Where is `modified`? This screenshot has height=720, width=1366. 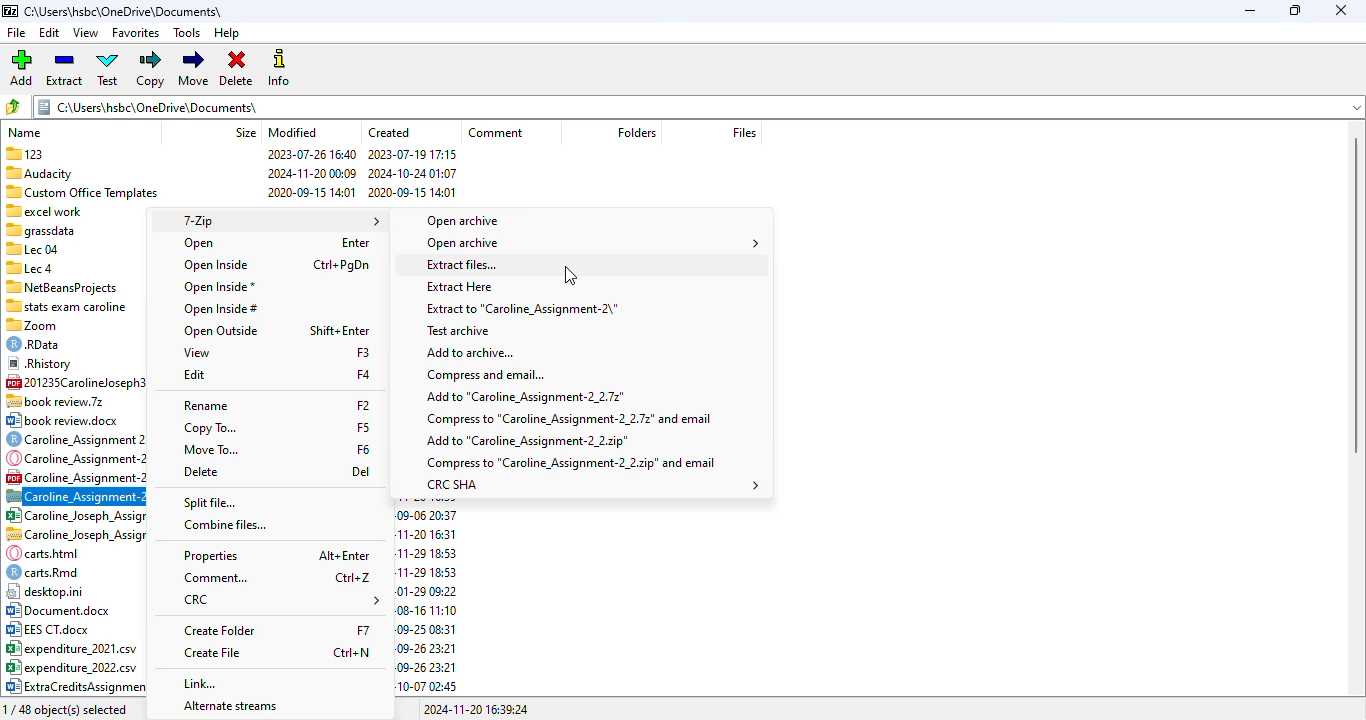
modified is located at coordinates (293, 132).